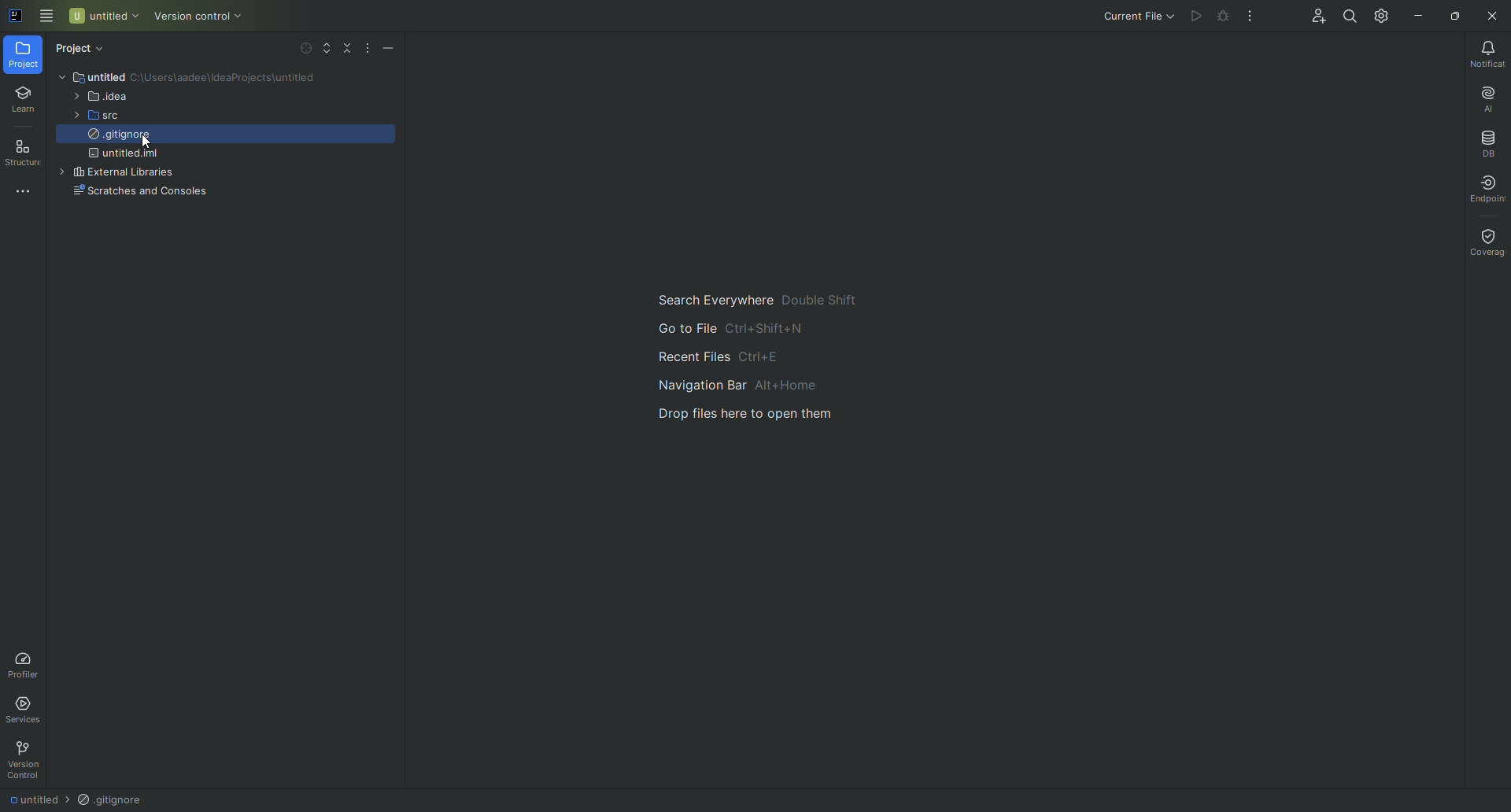 Image resolution: width=1511 pixels, height=812 pixels. I want to click on Restore, so click(1454, 14).